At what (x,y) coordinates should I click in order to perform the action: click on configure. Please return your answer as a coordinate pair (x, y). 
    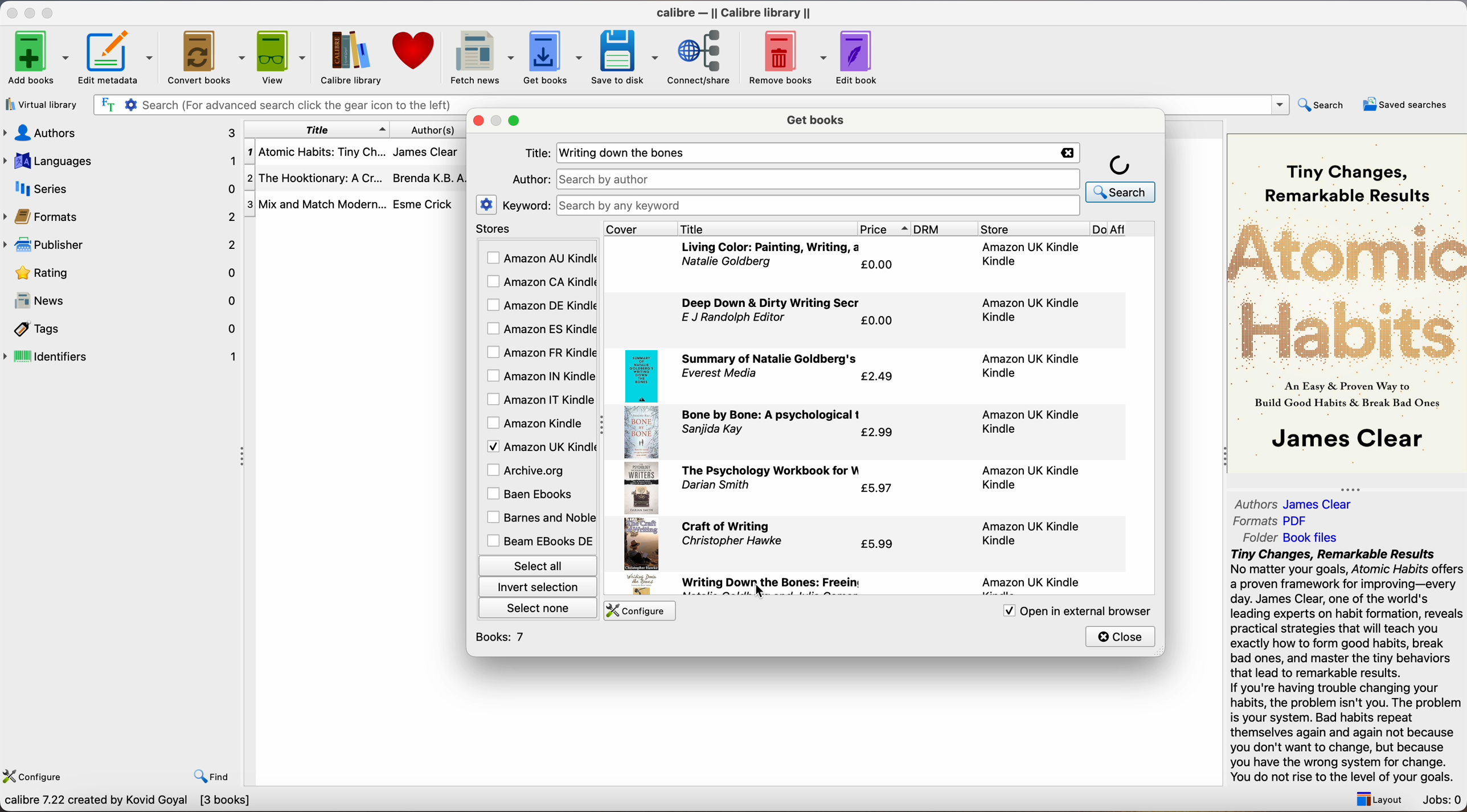
    Looking at the image, I should click on (36, 774).